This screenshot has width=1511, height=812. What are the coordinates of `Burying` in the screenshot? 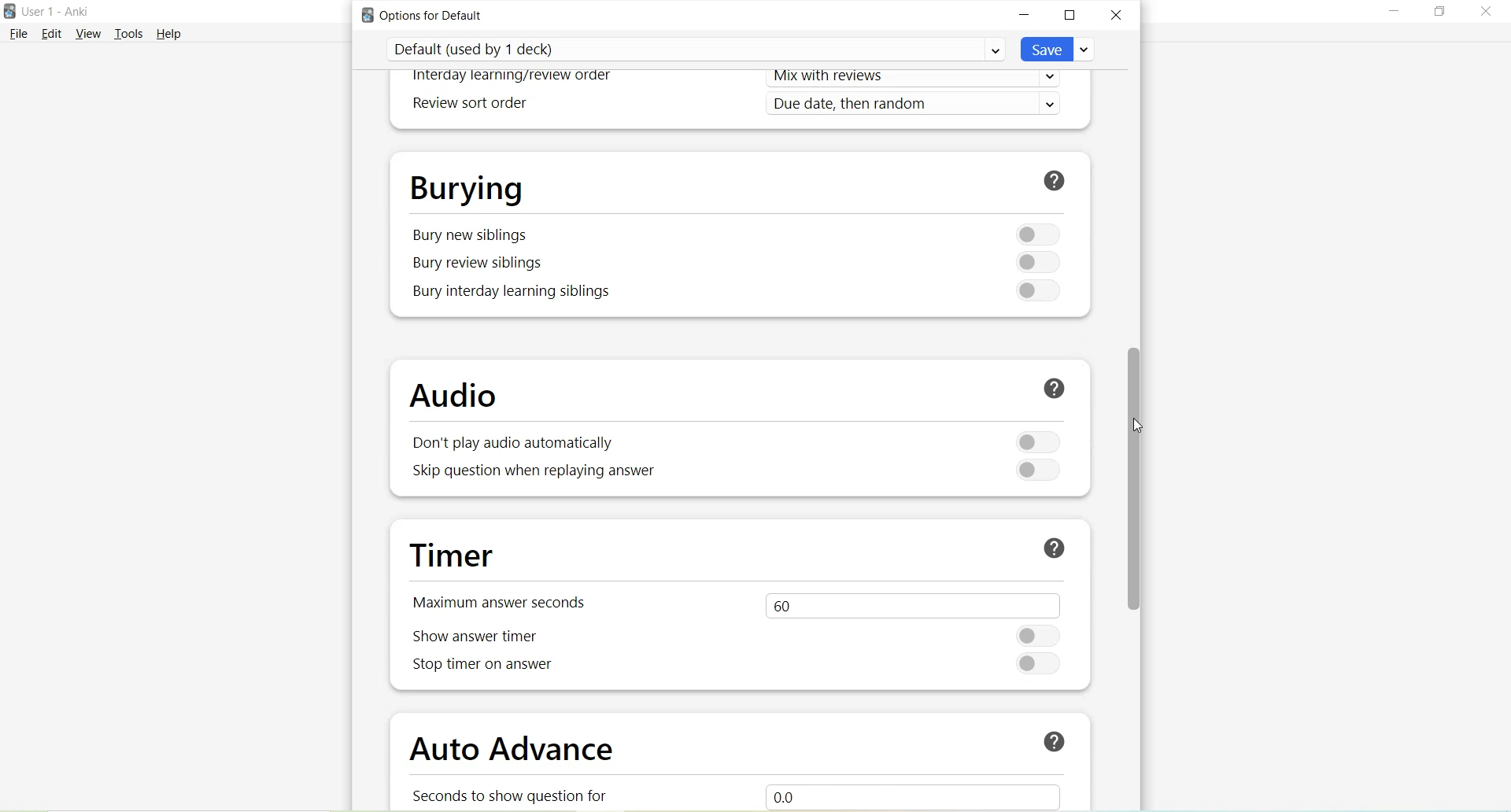 It's located at (467, 186).